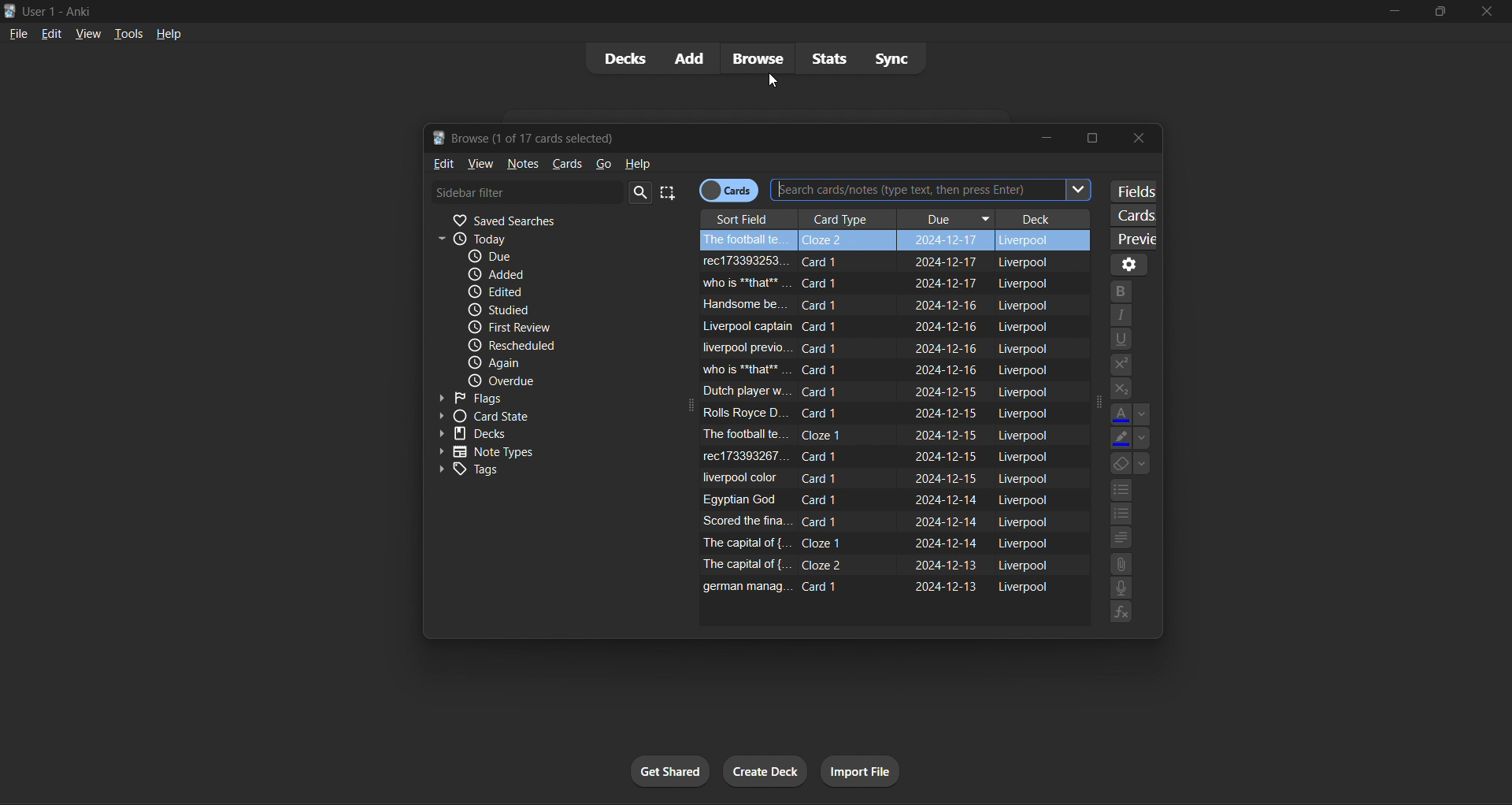 The height and width of the screenshot is (805, 1512). Describe the element at coordinates (828, 57) in the screenshot. I see `stats` at that location.